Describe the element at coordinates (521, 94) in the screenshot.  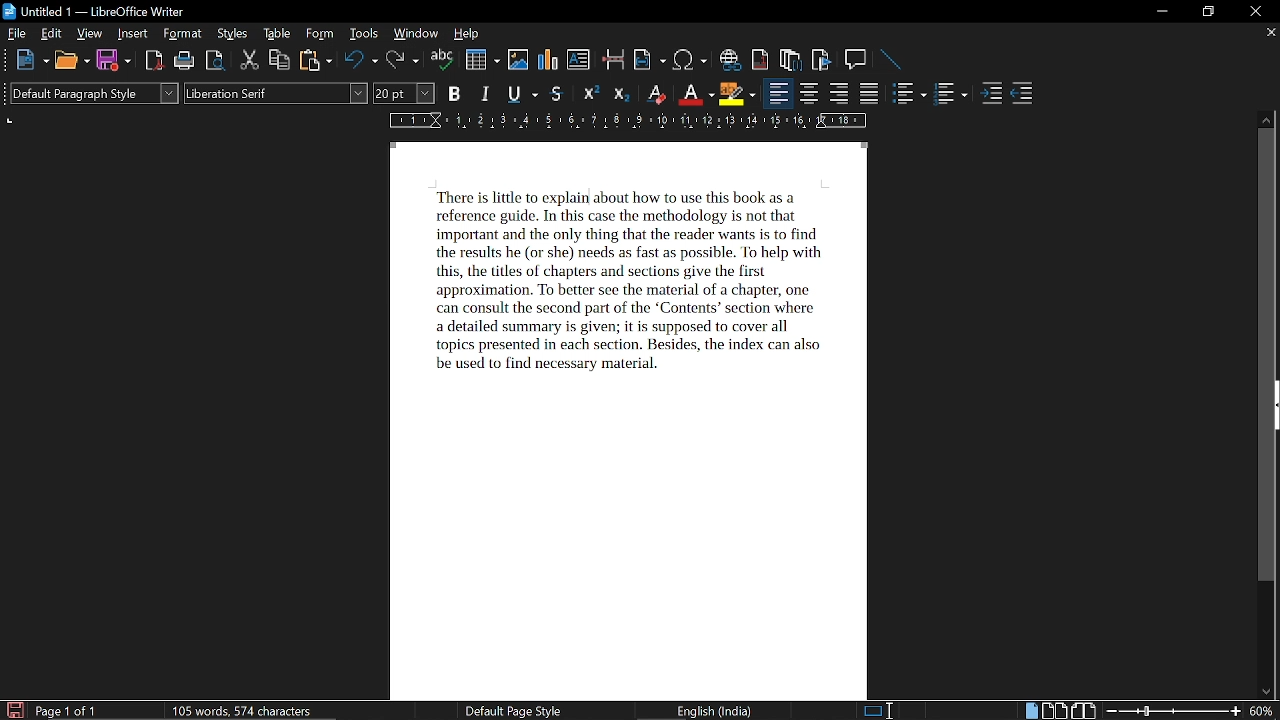
I see `underline` at that location.